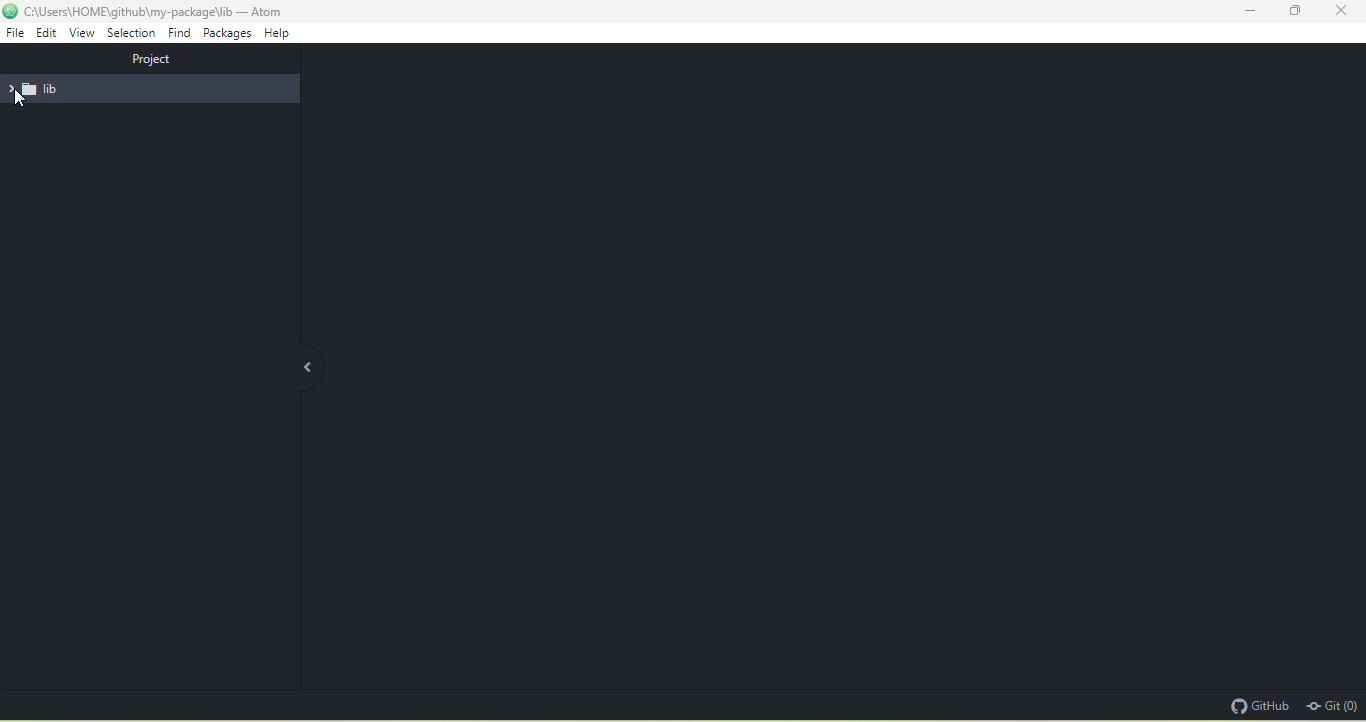  I want to click on help, so click(277, 34).